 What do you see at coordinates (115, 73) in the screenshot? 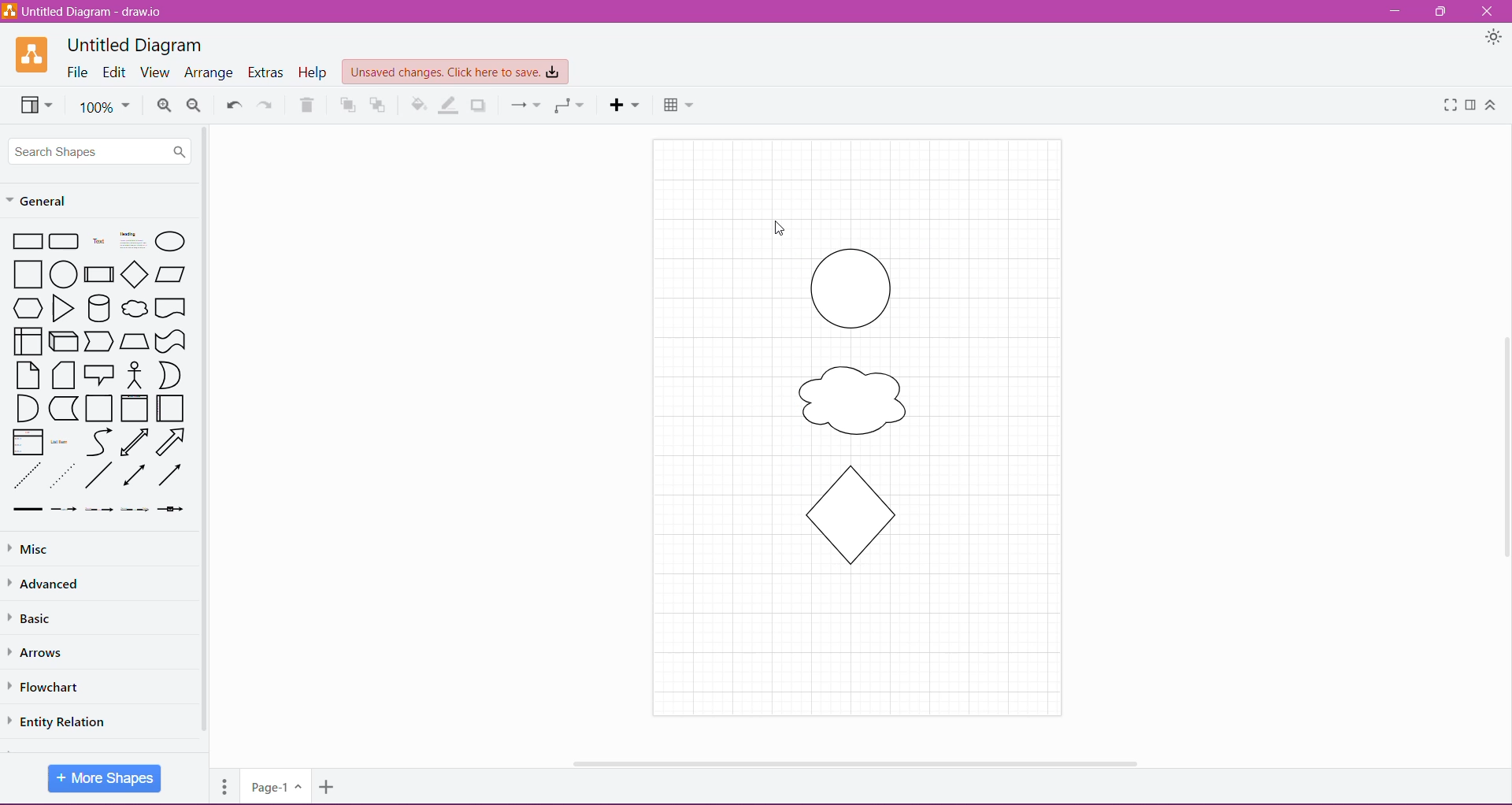
I see `Edit` at bounding box center [115, 73].